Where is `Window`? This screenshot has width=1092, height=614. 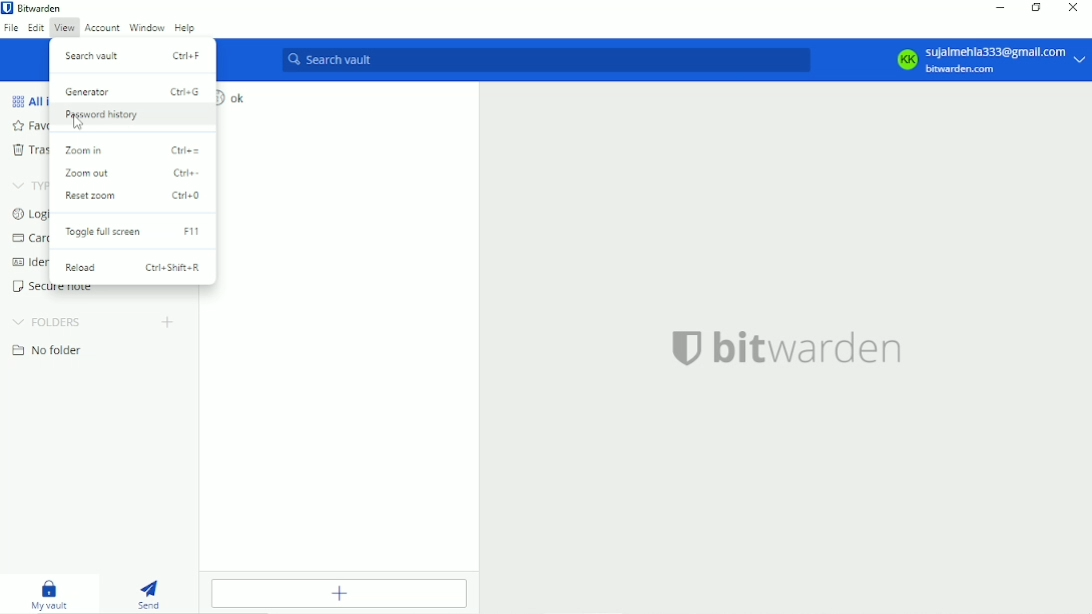
Window is located at coordinates (146, 27).